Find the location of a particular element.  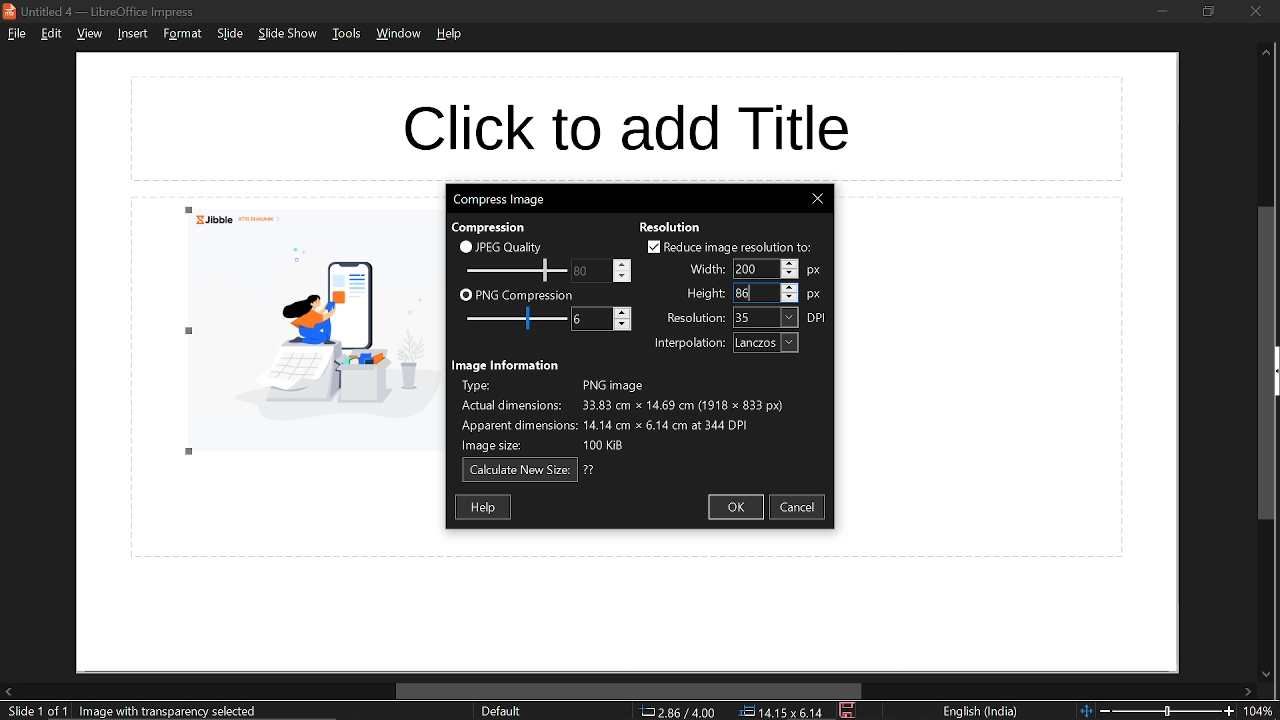

Change JPEG quality  is located at coordinates (516, 271).